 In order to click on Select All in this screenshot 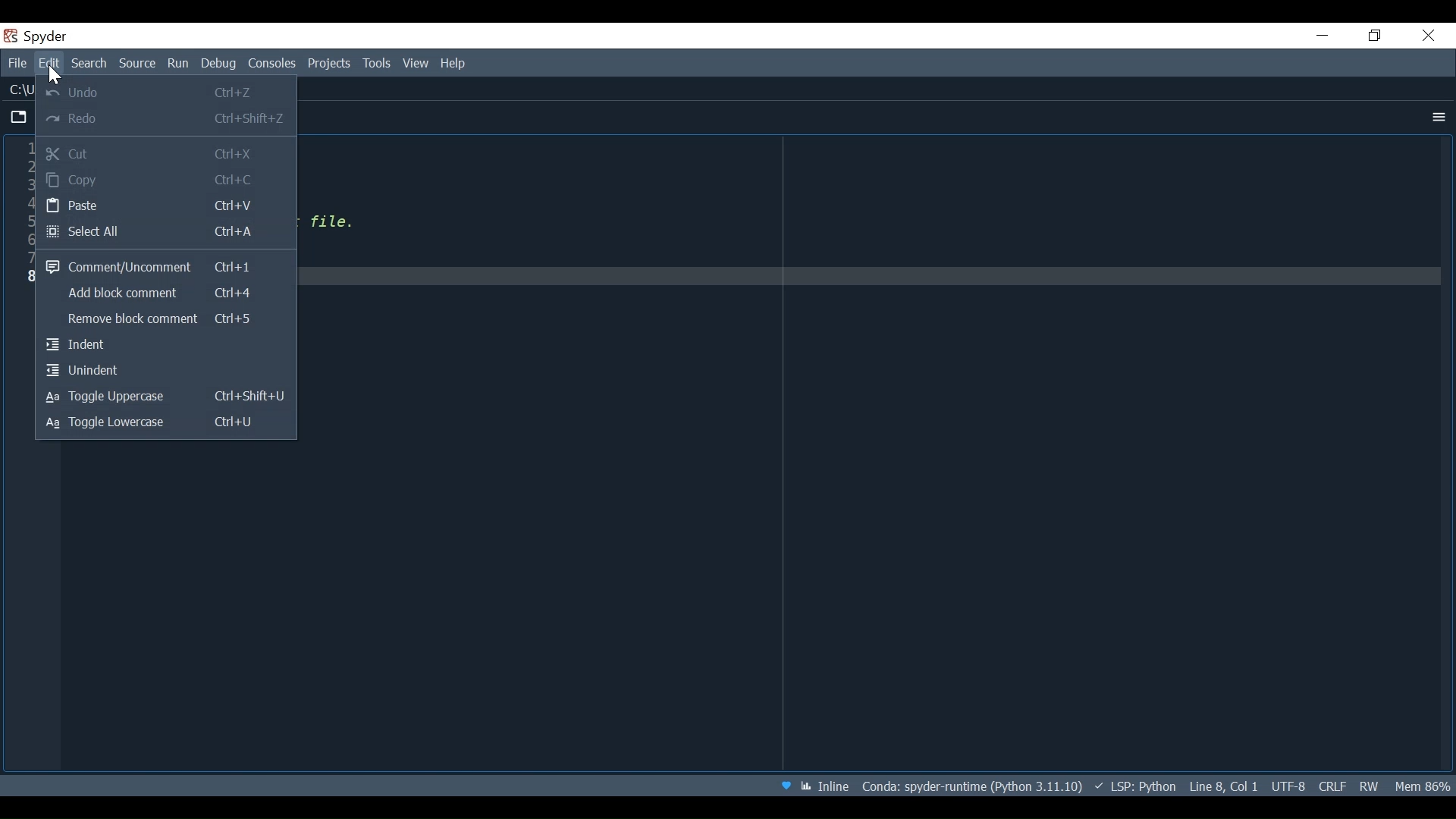, I will do `click(104, 231)`.